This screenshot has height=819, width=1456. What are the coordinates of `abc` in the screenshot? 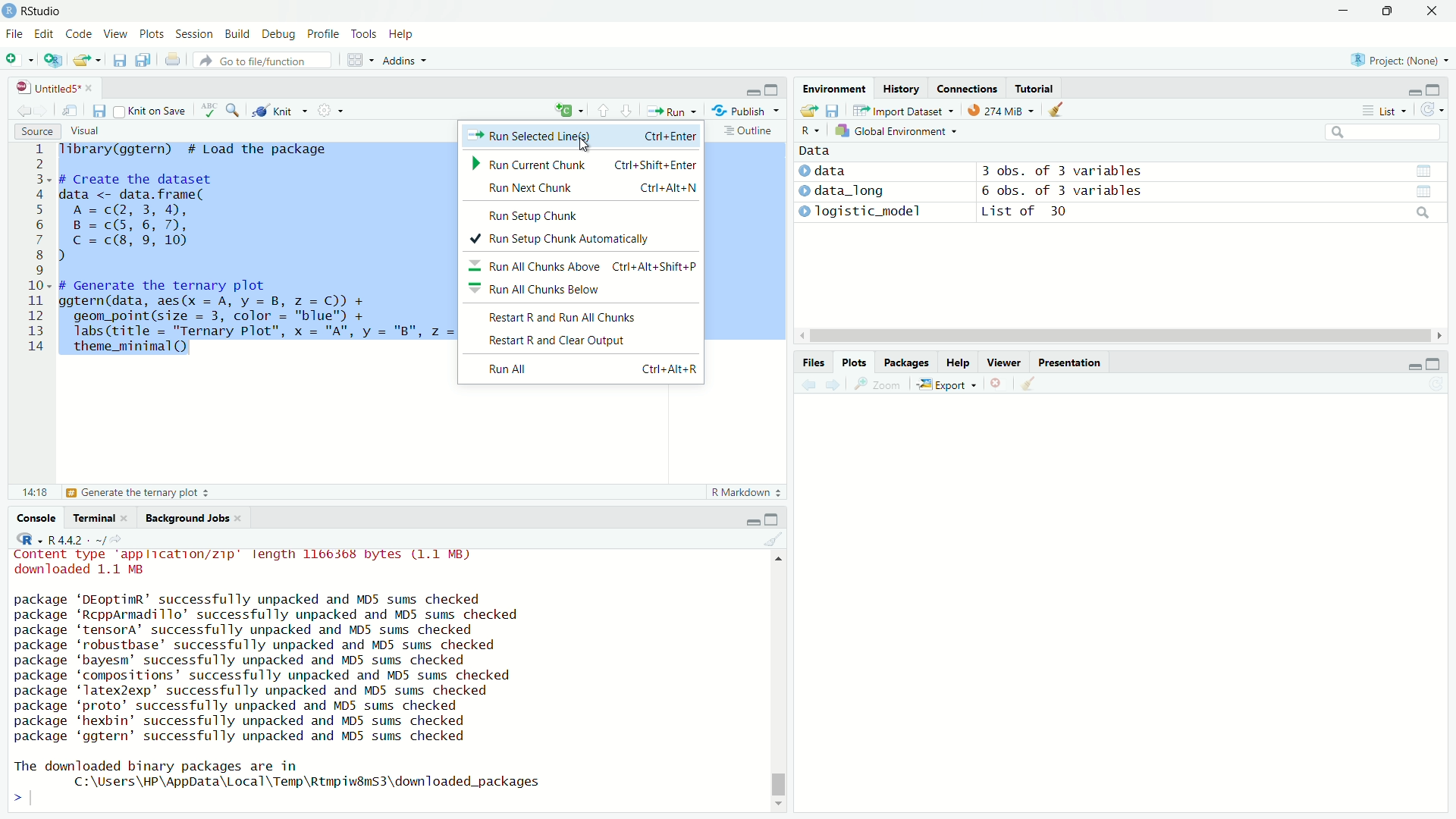 It's located at (209, 114).